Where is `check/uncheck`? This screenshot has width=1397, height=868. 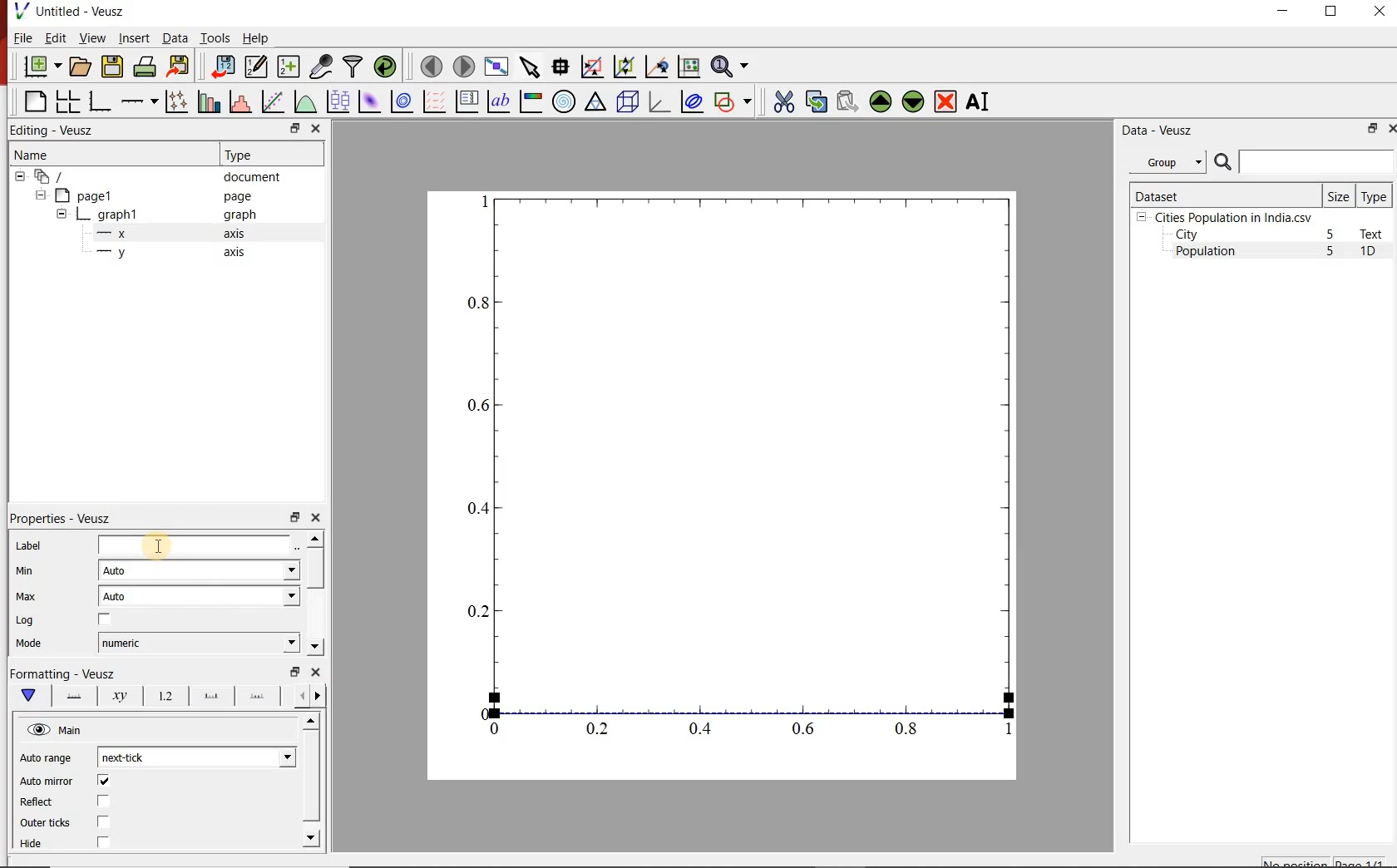 check/uncheck is located at coordinates (103, 823).